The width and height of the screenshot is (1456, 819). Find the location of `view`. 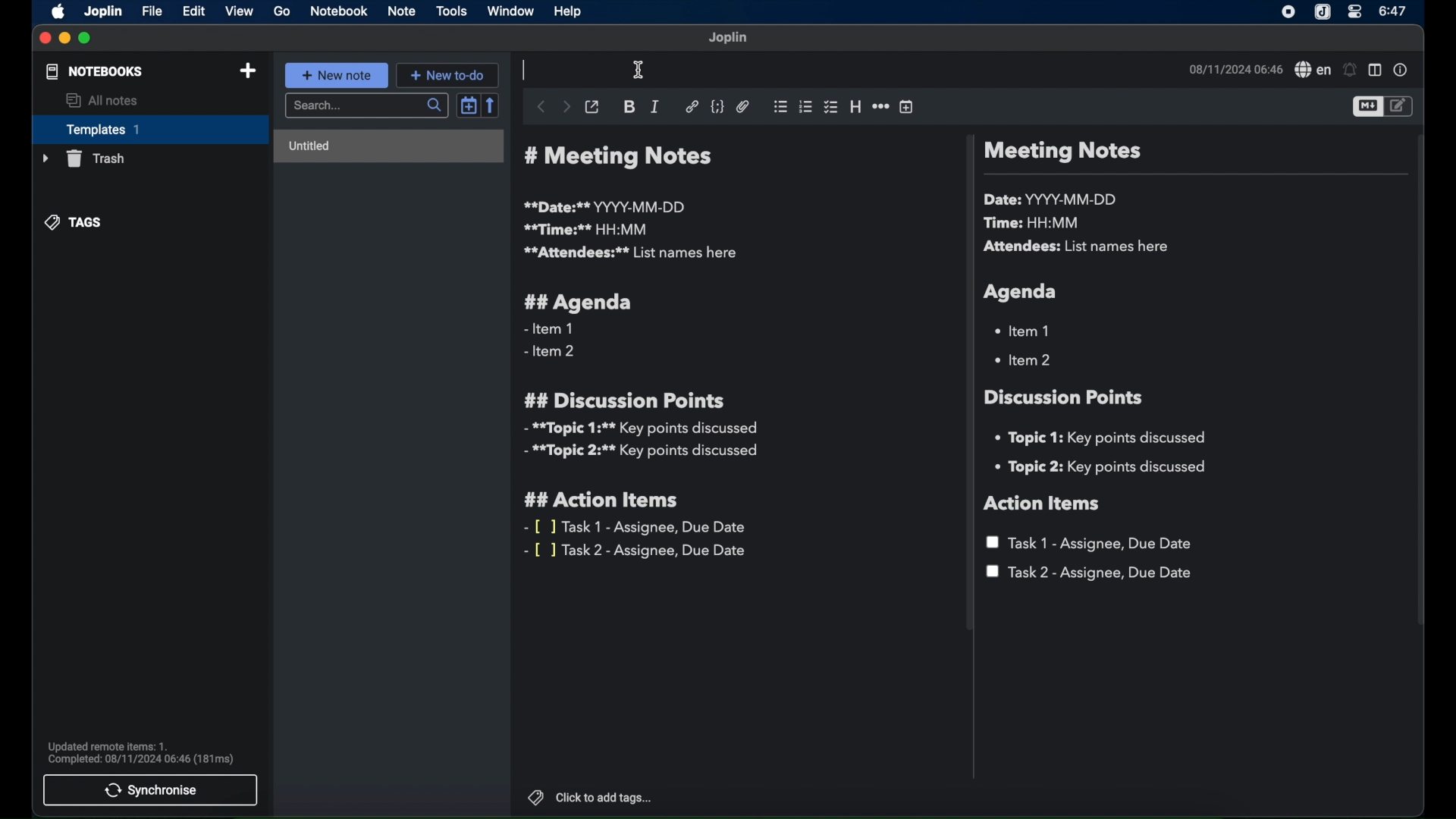

view is located at coordinates (240, 11).